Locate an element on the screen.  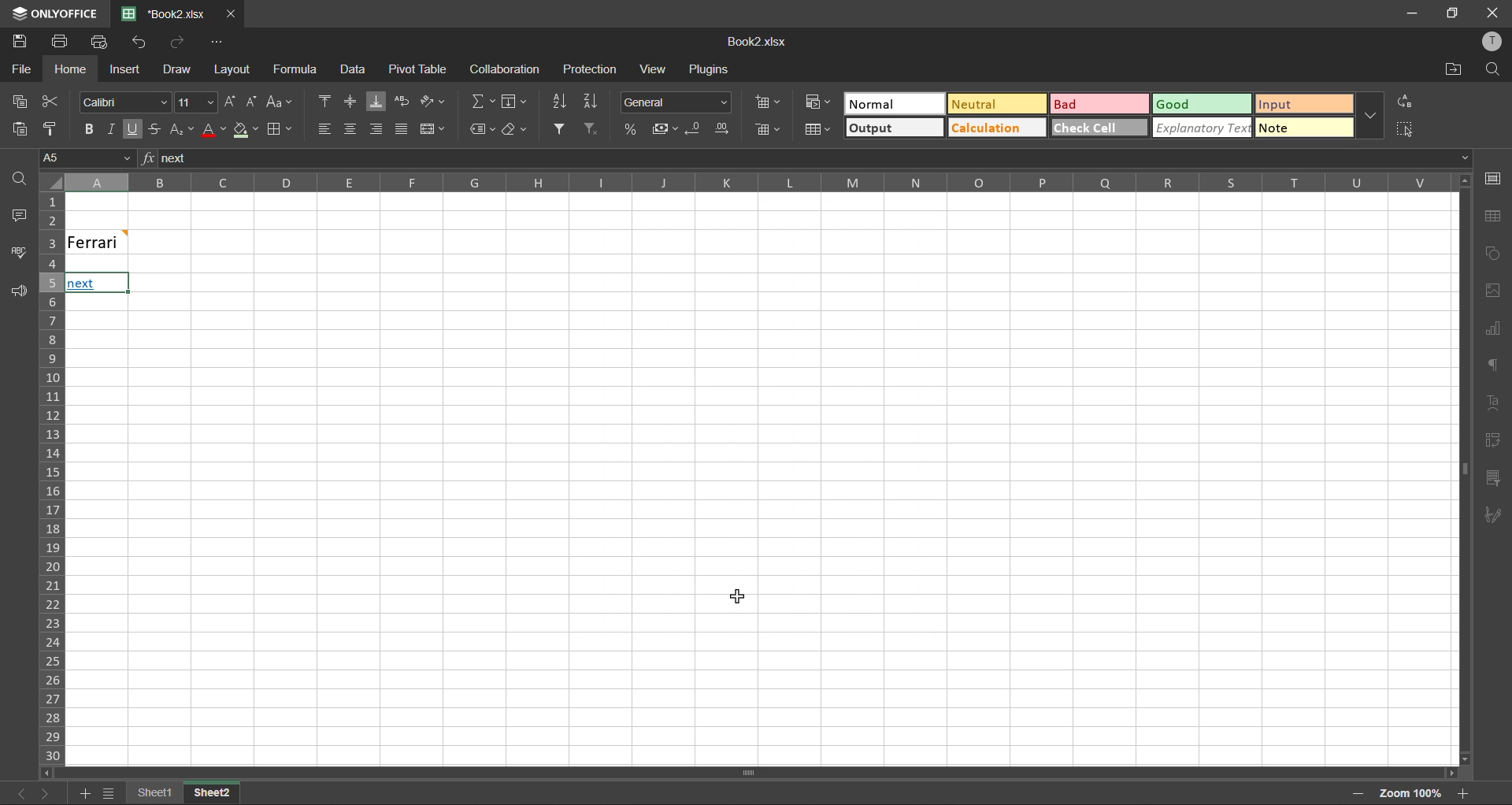
zoom out is located at coordinates (1355, 795).